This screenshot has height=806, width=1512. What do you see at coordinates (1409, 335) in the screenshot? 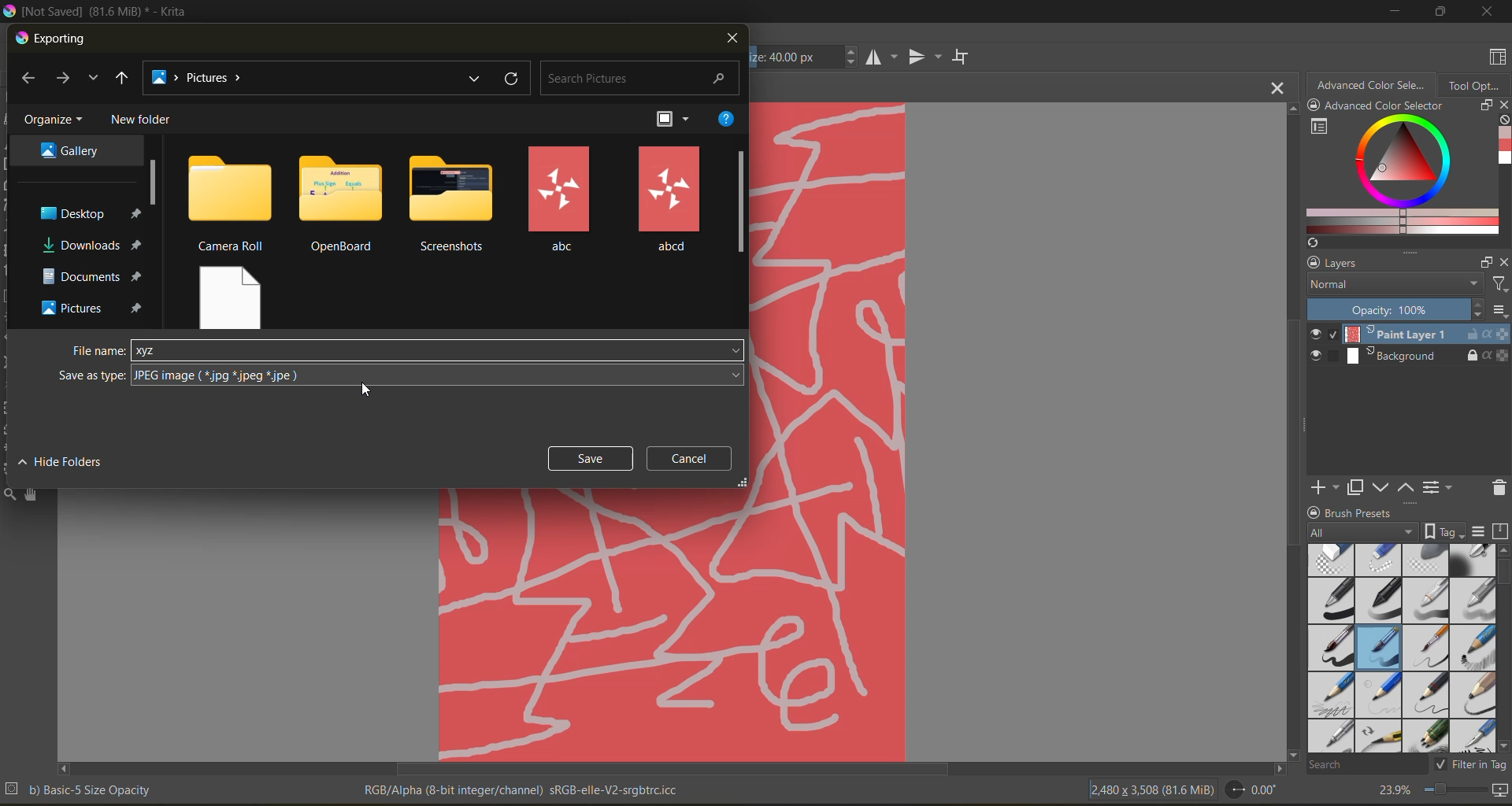
I see `layer` at bounding box center [1409, 335].